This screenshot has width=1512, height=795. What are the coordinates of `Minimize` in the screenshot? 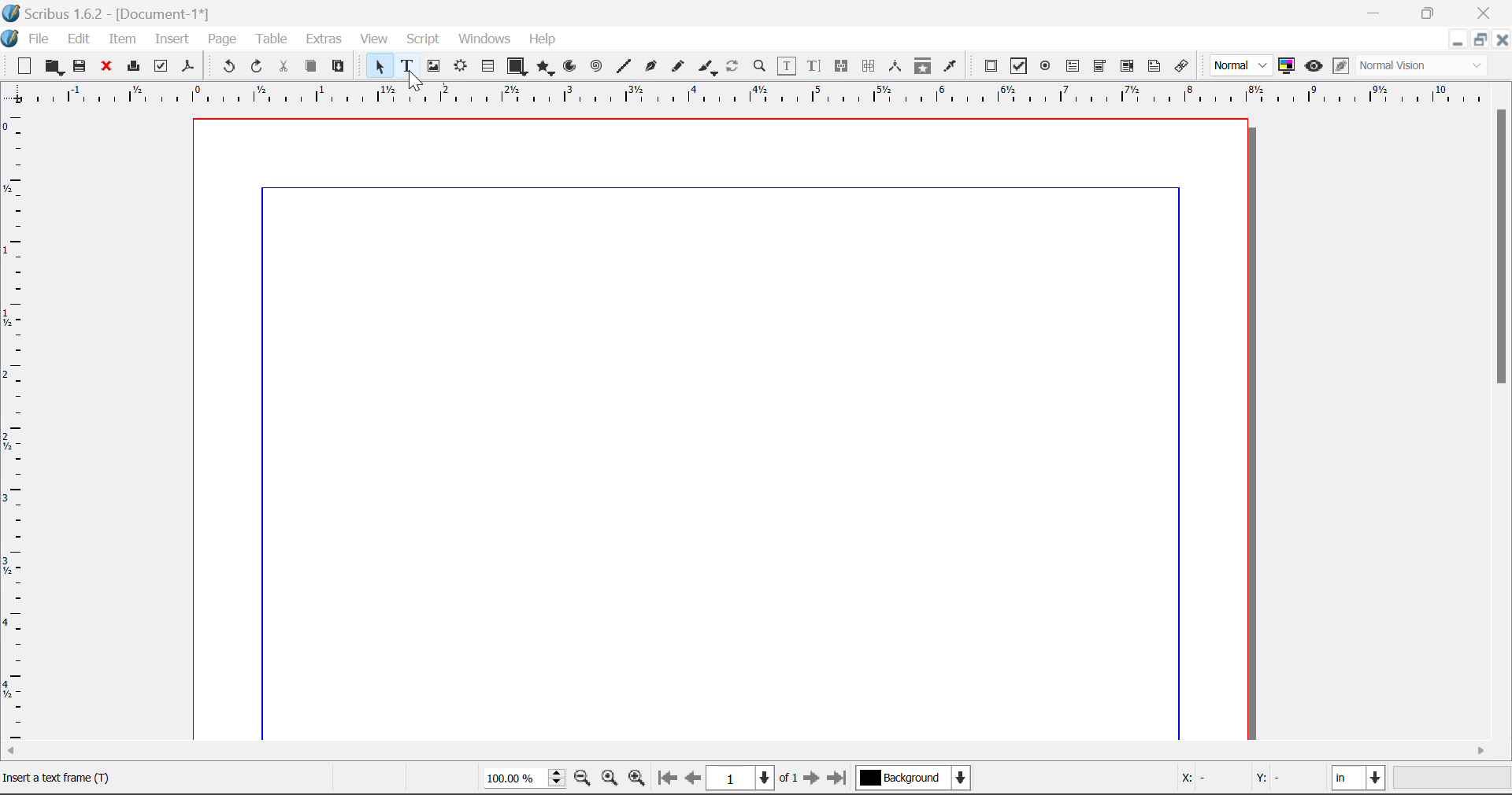 It's located at (1431, 12).